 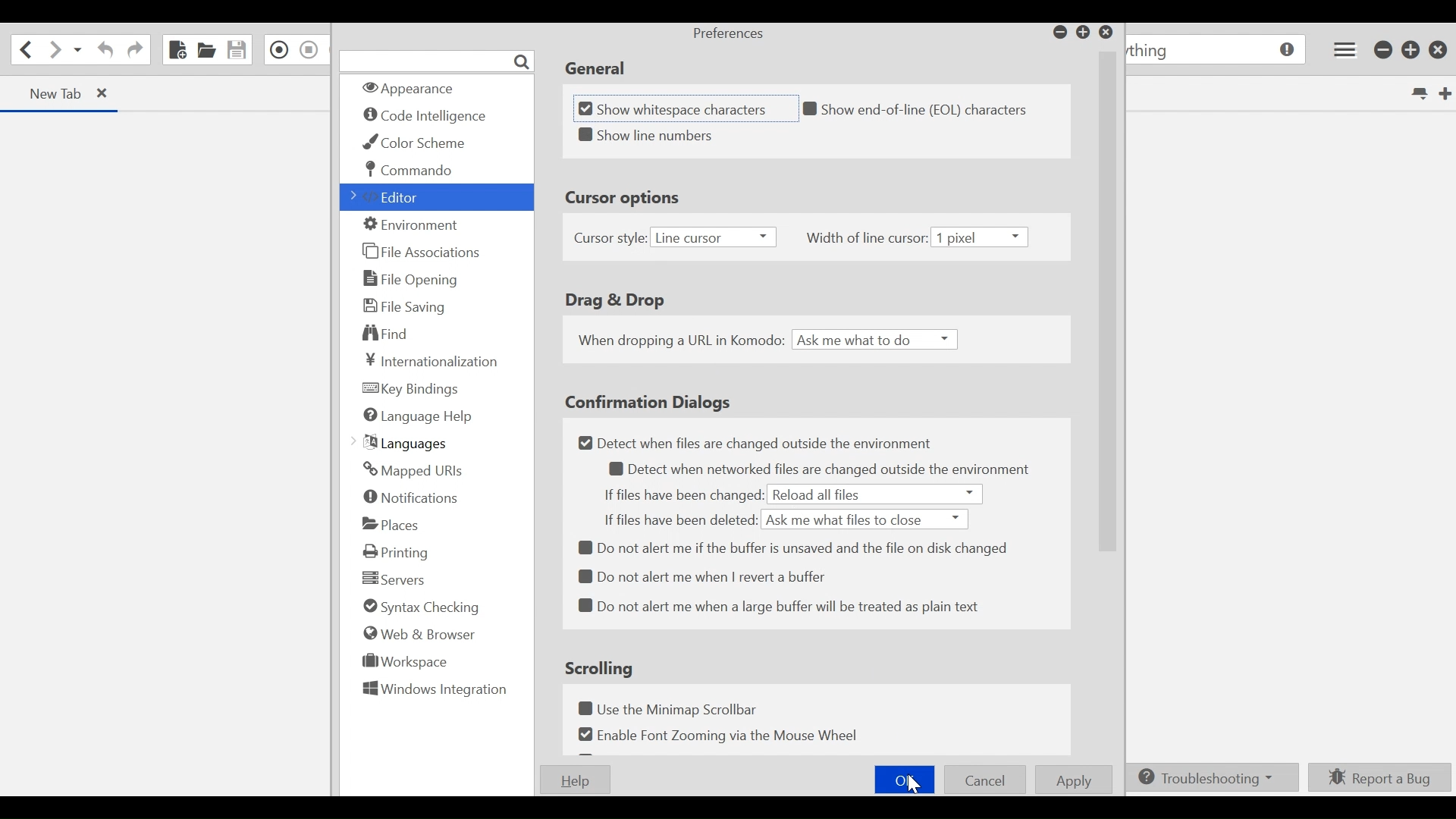 I want to click on Windows Integration, so click(x=435, y=690).